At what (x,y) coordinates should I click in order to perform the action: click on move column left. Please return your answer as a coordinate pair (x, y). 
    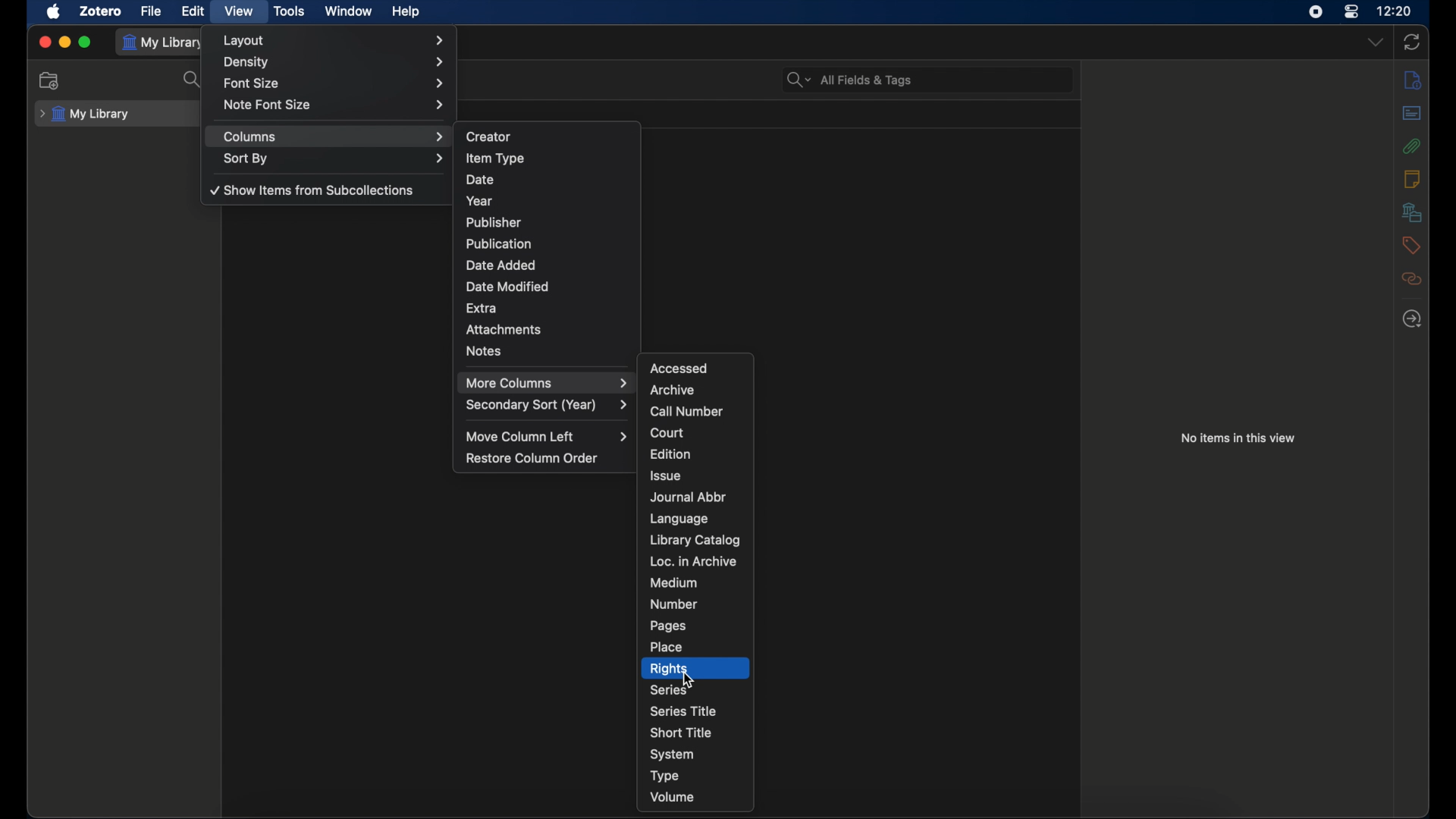
    Looking at the image, I should click on (548, 436).